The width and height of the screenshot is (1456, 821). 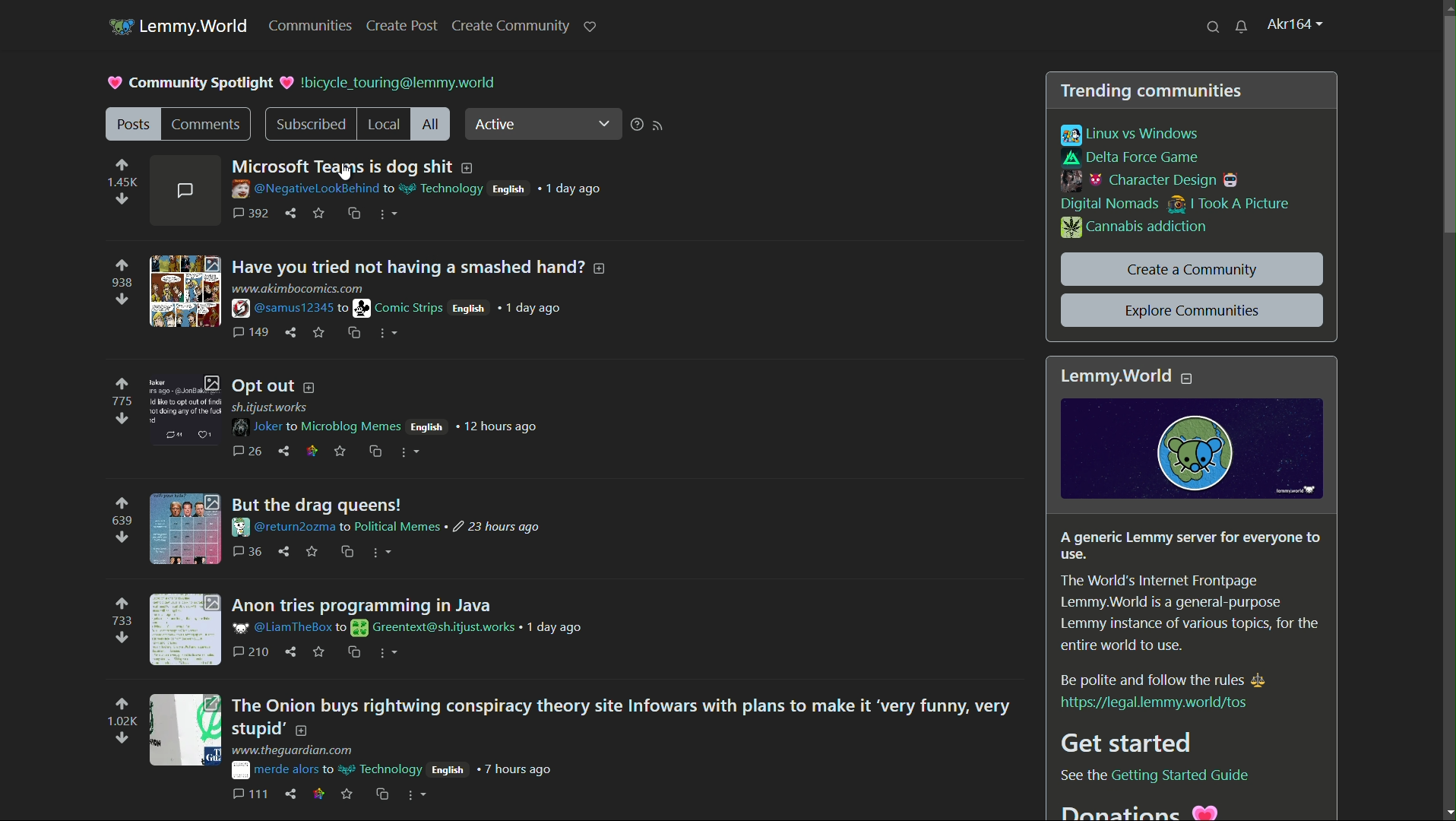 What do you see at coordinates (423, 189) in the screenshot?
I see `post details` at bounding box center [423, 189].